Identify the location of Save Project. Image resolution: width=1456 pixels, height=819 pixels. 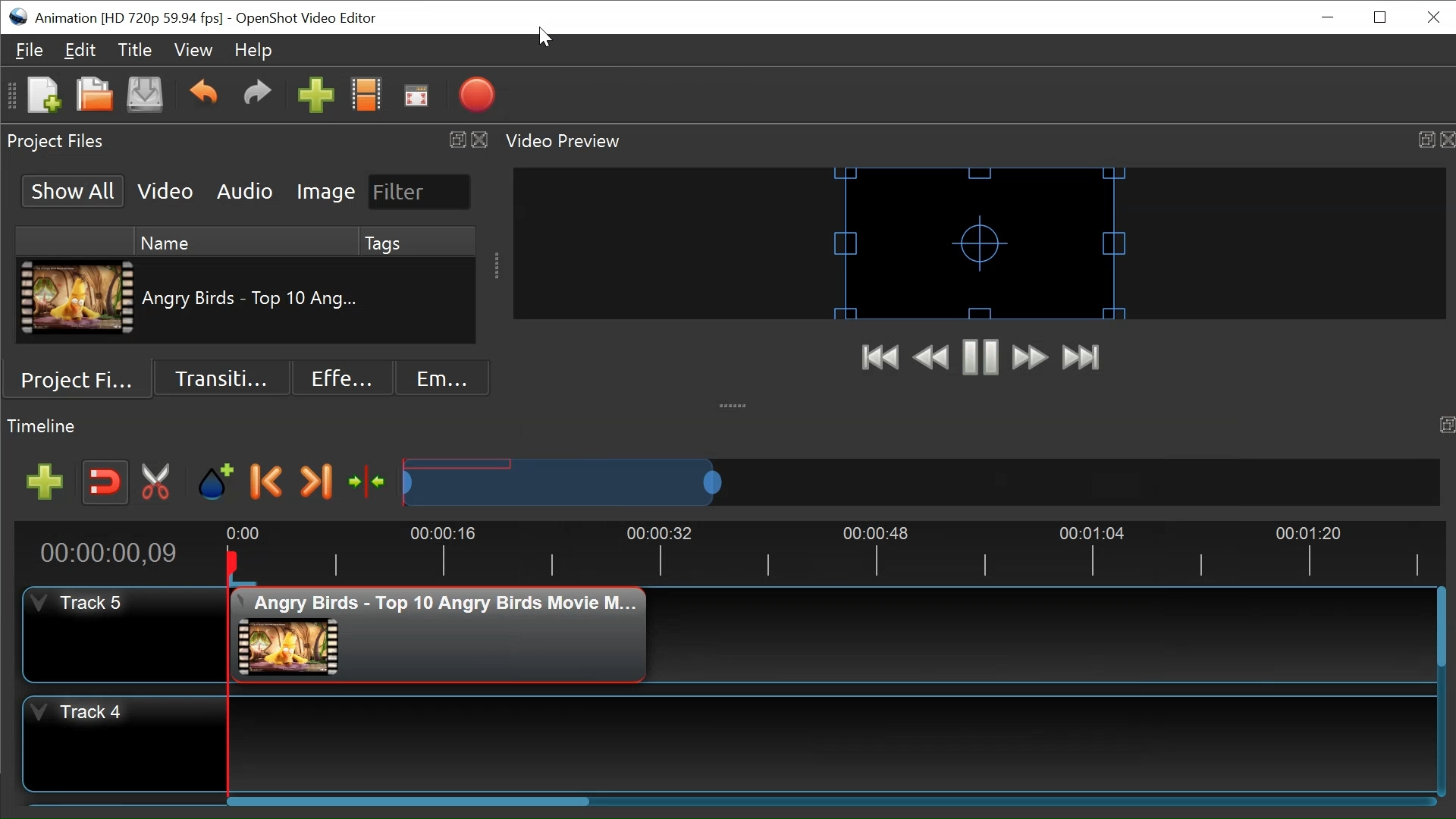
(144, 96).